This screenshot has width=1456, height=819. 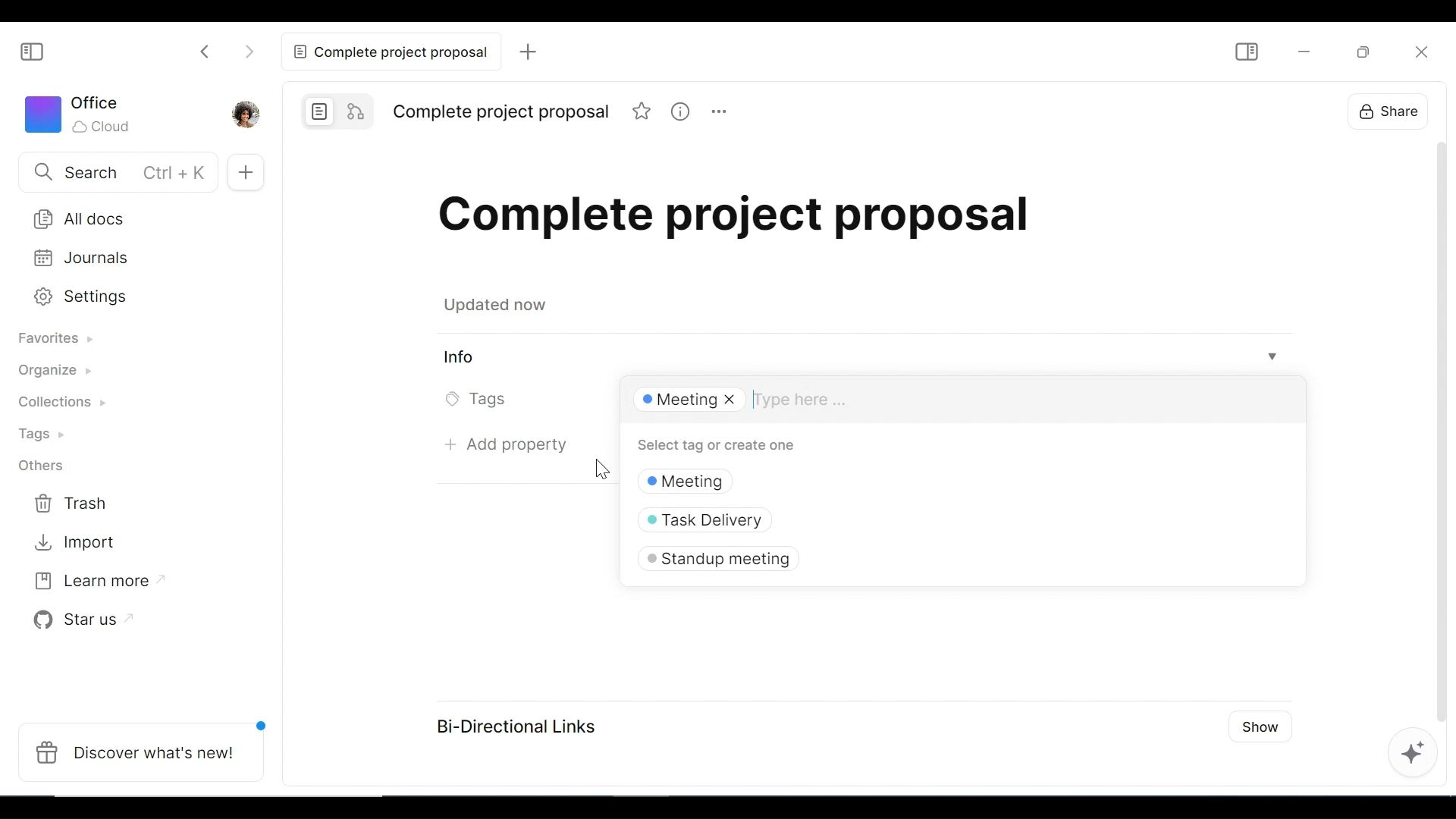 What do you see at coordinates (702, 480) in the screenshot?
I see `Meeting` at bounding box center [702, 480].